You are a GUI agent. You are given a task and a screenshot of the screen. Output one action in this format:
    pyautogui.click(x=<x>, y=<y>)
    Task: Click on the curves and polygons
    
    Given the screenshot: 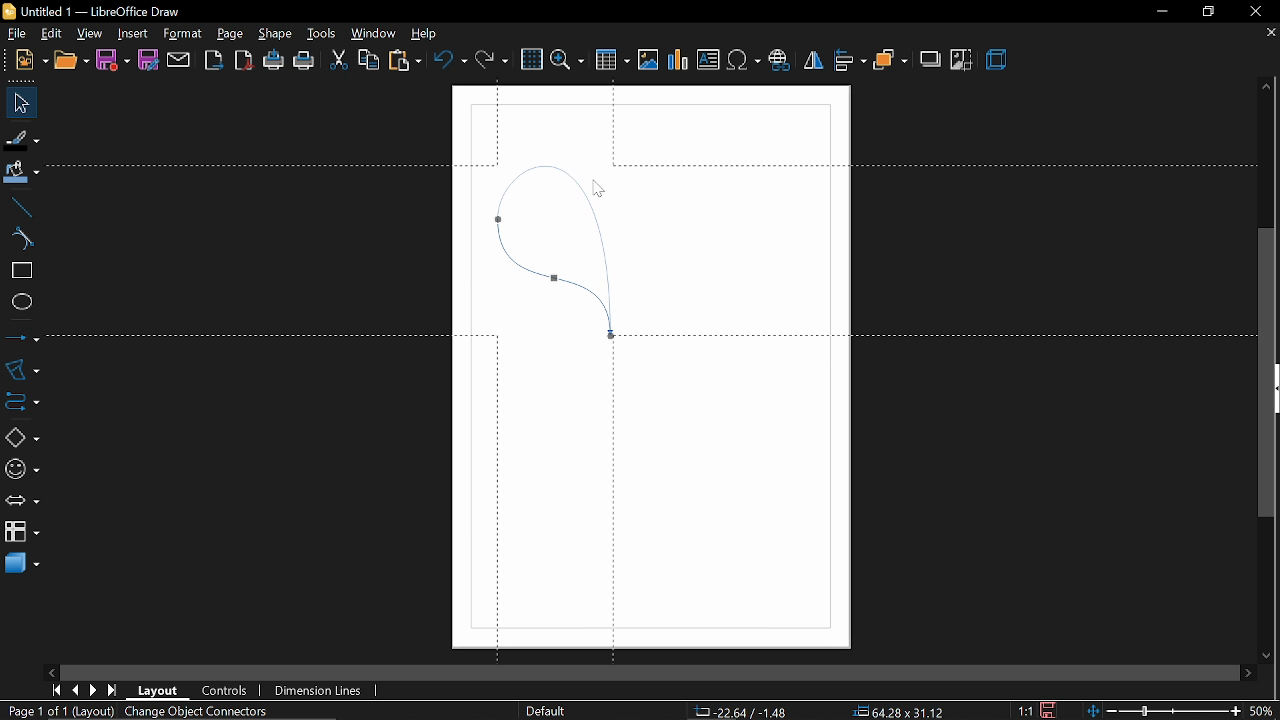 What is the action you would take?
    pyautogui.click(x=20, y=369)
    